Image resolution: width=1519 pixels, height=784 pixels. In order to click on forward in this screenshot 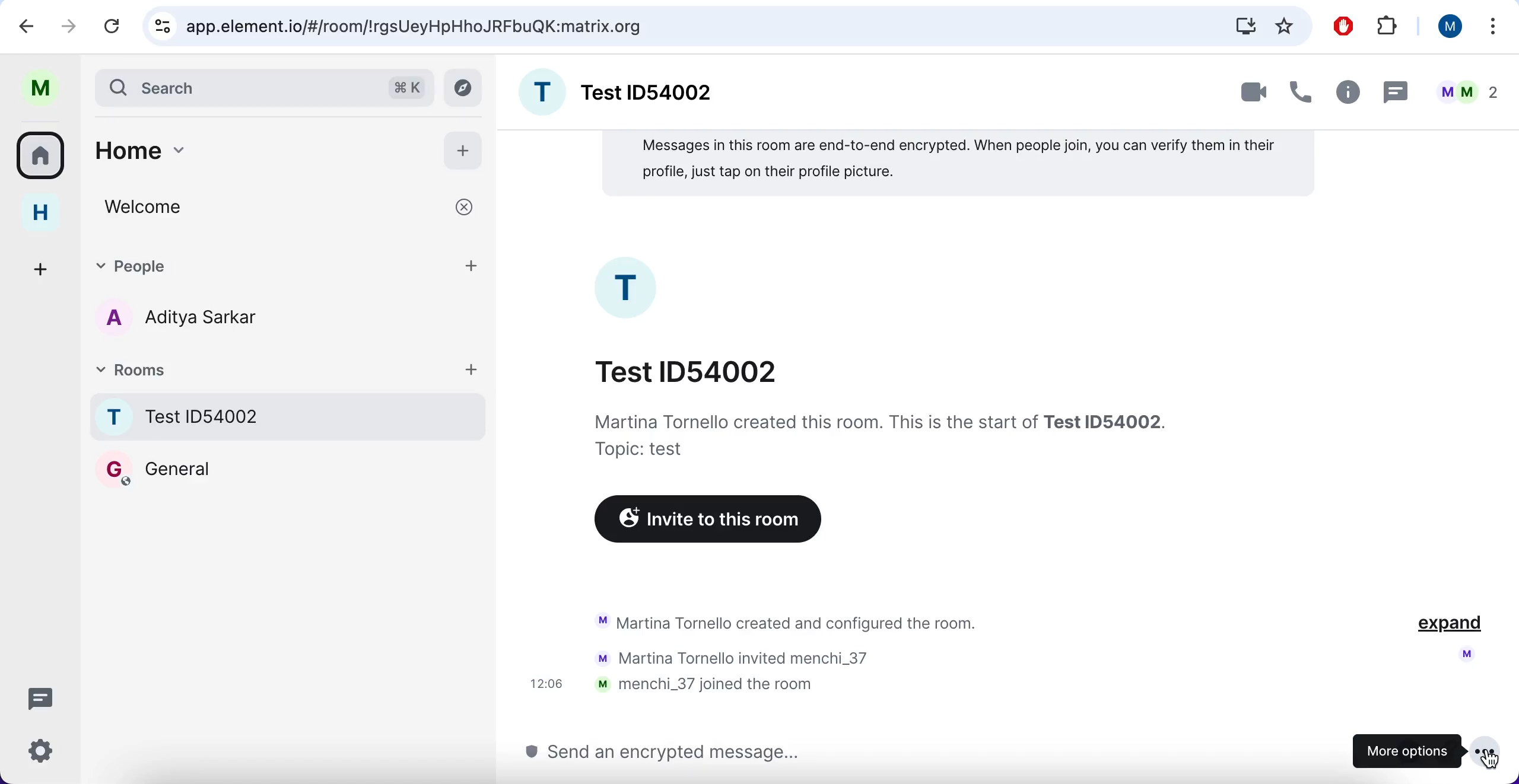, I will do `click(69, 24)`.